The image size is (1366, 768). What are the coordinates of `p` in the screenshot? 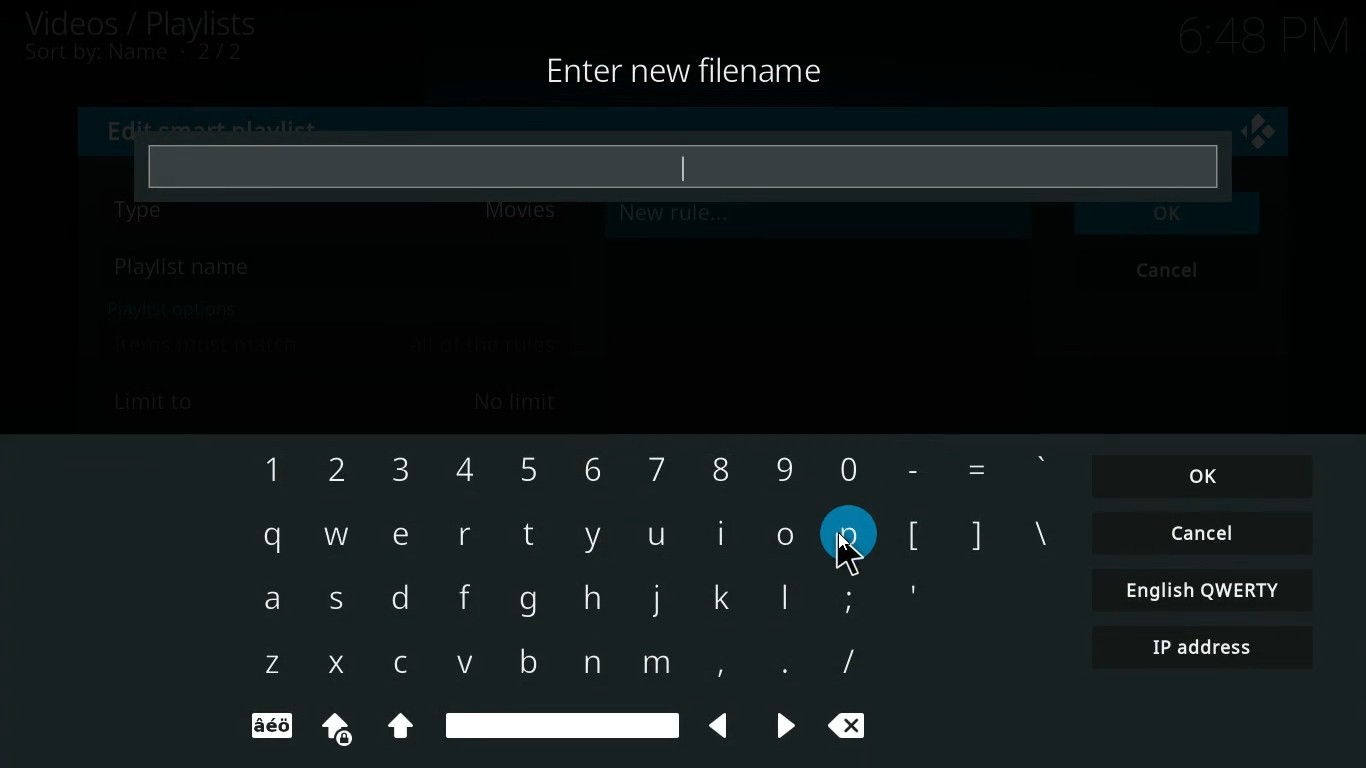 It's located at (850, 535).